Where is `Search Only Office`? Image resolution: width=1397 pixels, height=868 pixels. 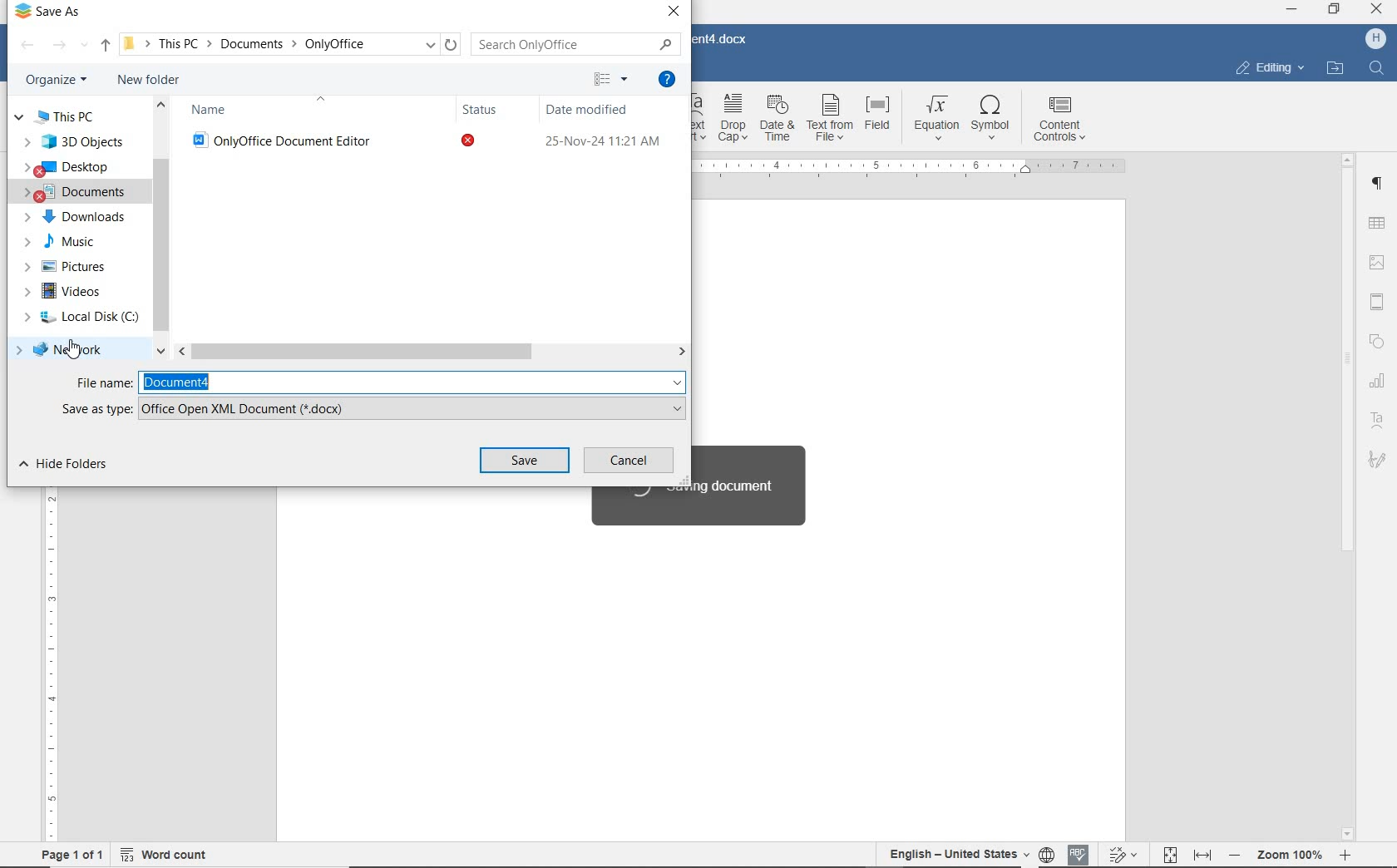
Search Only Office is located at coordinates (575, 47).